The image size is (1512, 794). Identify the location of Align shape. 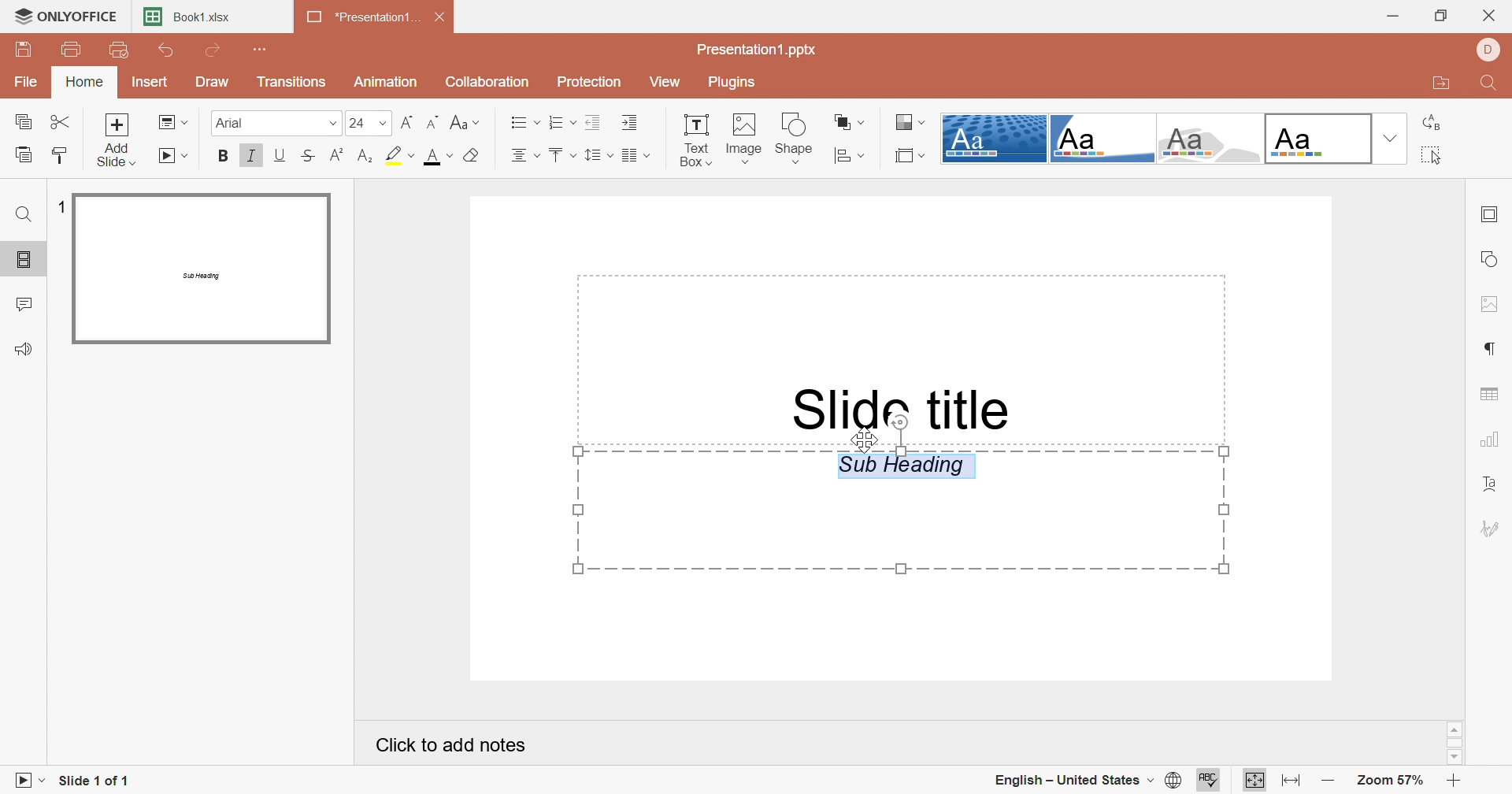
(850, 155).